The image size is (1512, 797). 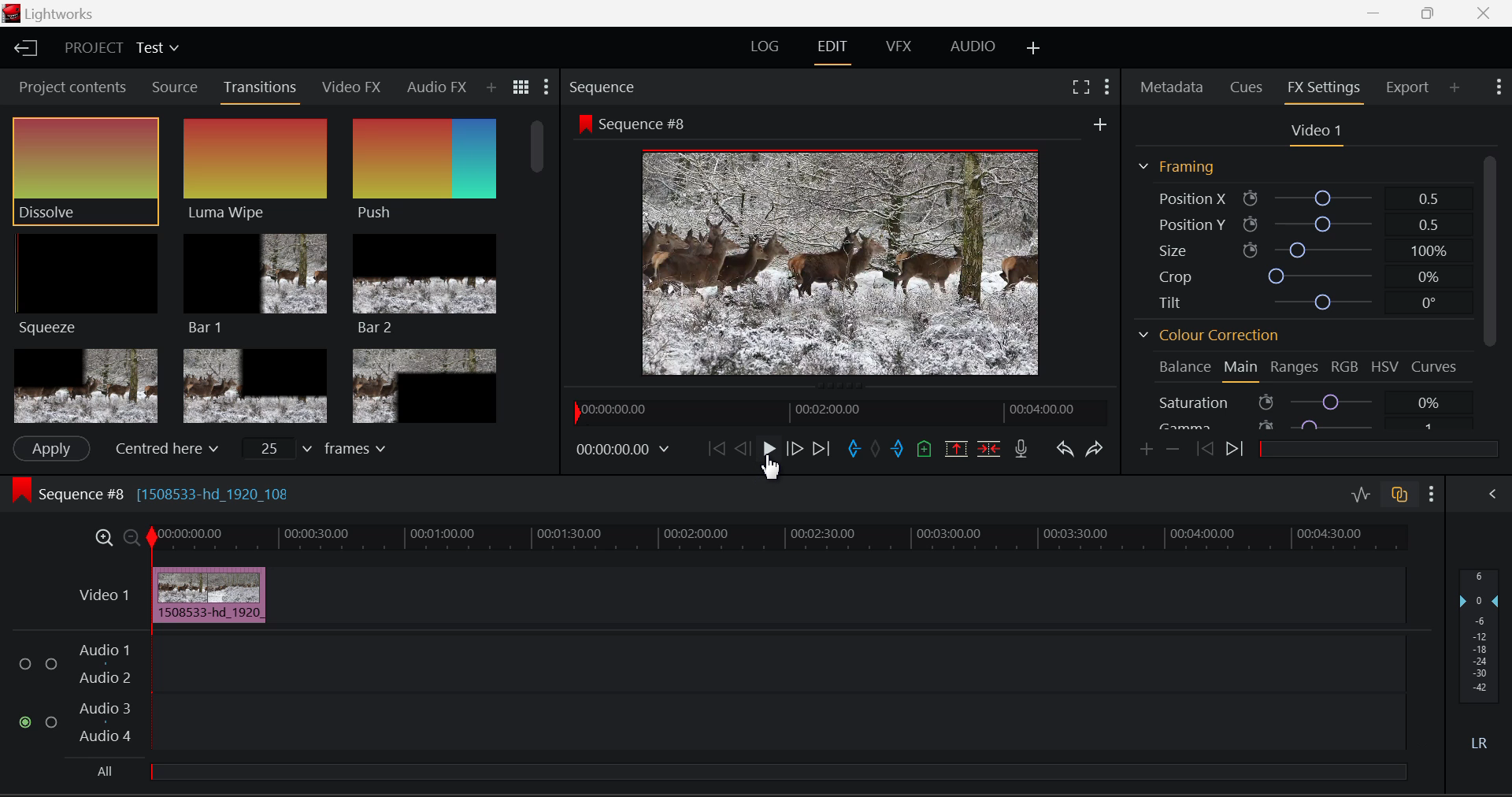 I want to click on Timeline Zoom In, so click(x=104, y=537).